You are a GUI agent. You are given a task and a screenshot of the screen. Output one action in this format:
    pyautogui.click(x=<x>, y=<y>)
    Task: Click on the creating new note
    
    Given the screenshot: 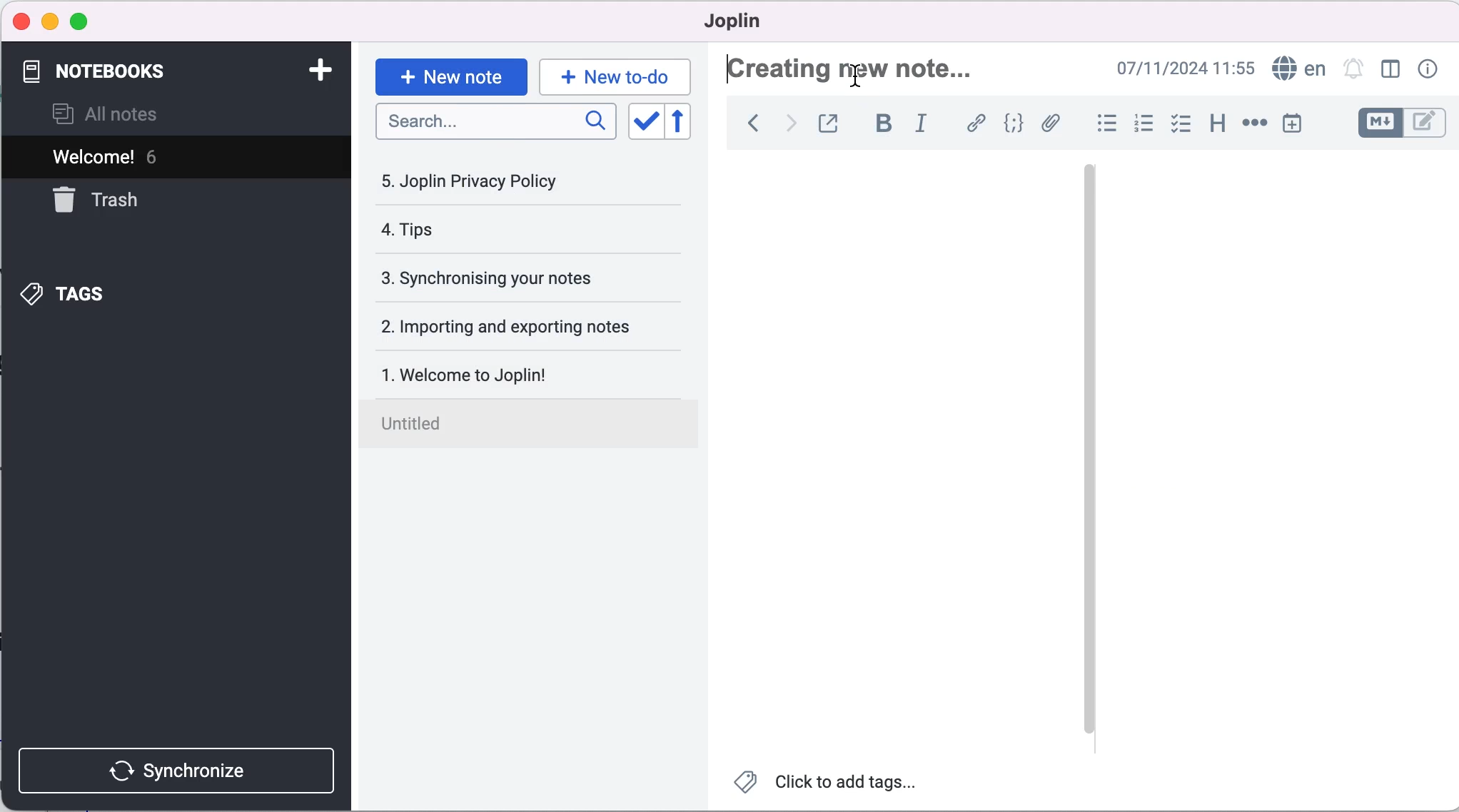 What is the action you would take?
    pyautogui.click(x=877, y=68)
    